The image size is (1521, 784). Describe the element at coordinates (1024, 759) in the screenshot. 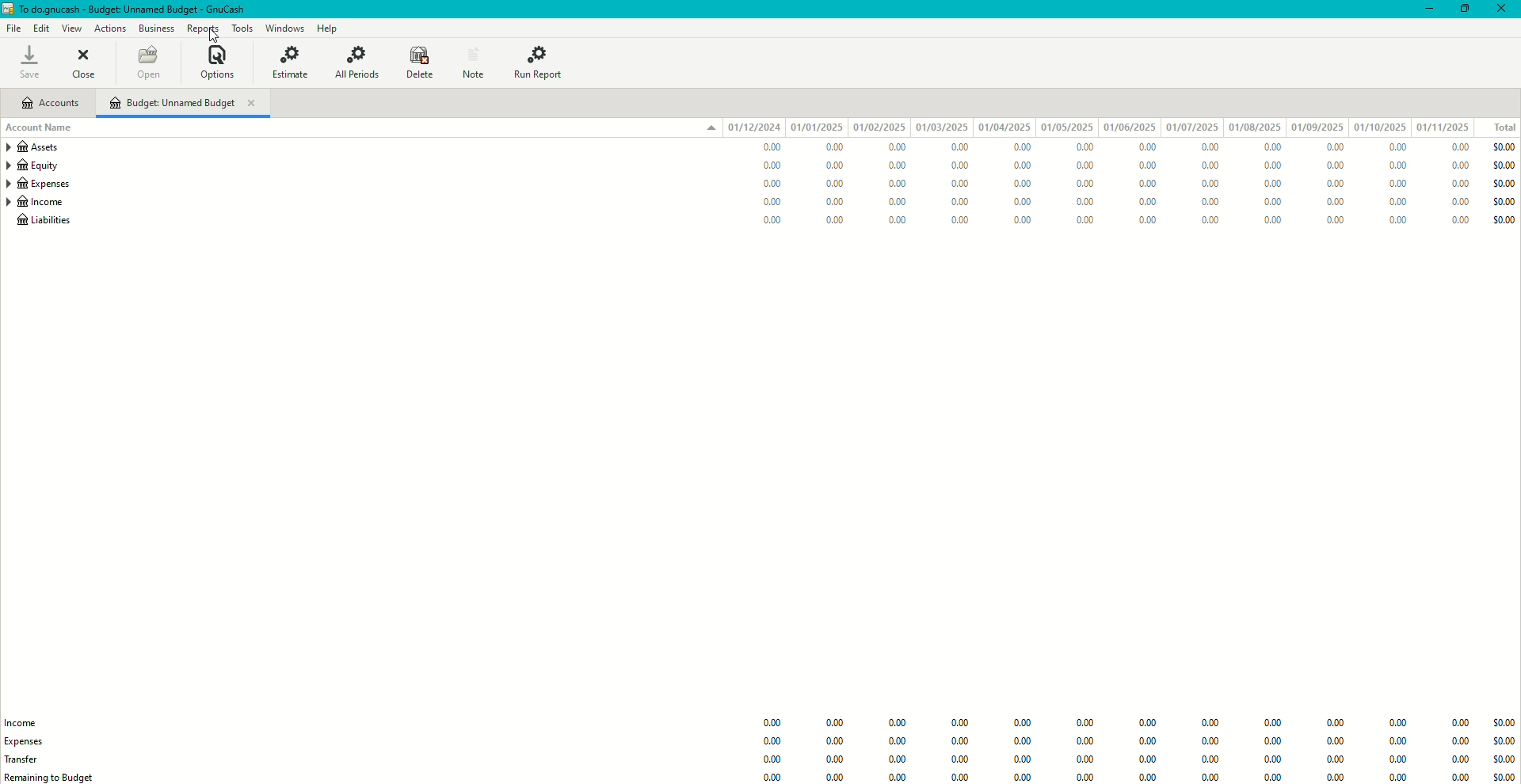

I see `0.00` at that location.